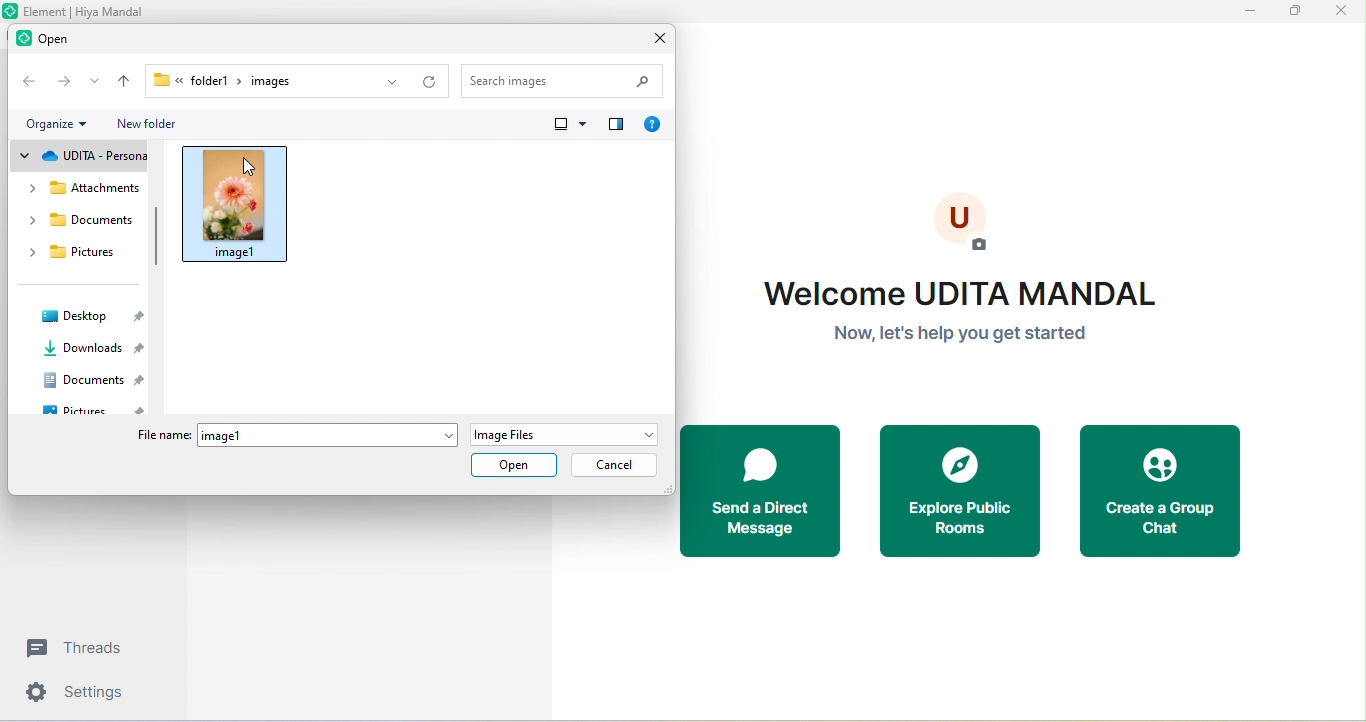  Describe the element at coordinates (961, 220) in the screenshot. I see `profile` at that location.